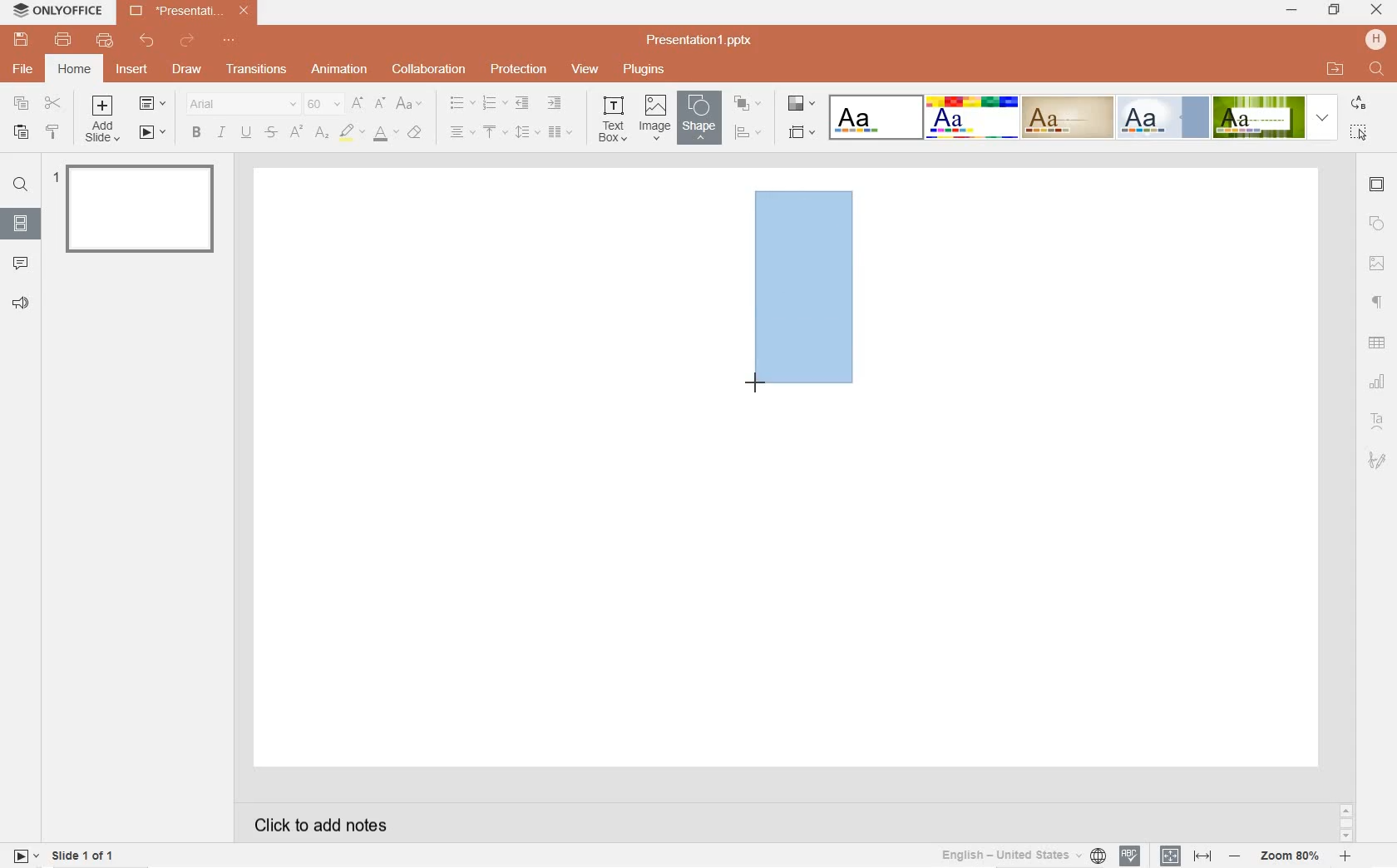 The height and width of the screenshot is (868, 1397). Describe the element at coordinates (74, 69) in the screenshot. I see `home` at that location.